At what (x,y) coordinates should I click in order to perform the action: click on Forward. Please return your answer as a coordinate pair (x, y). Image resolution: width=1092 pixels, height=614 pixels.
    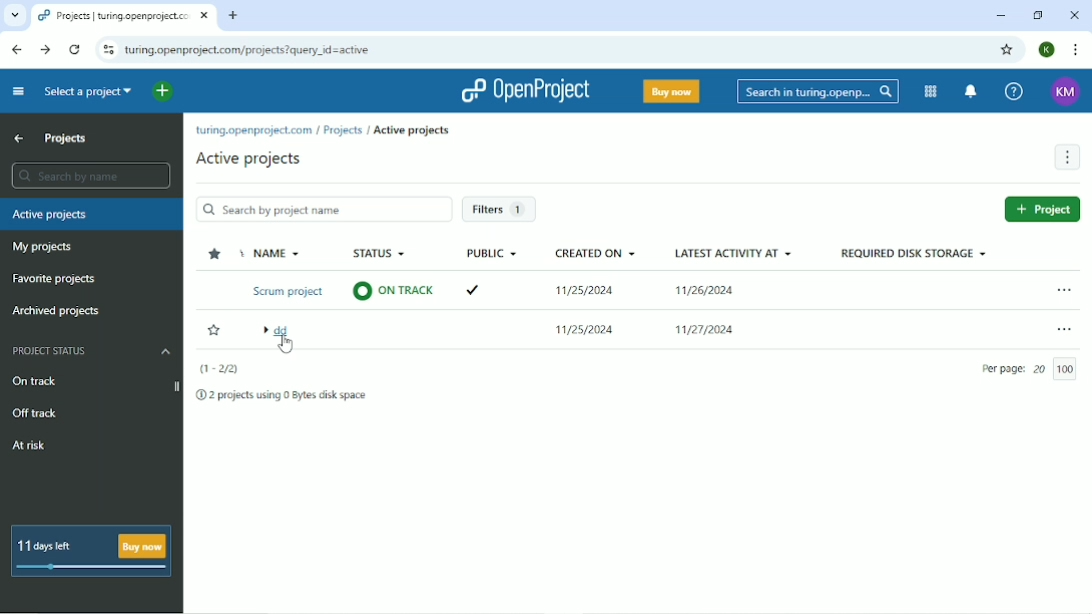
    Looking at the image, I should click on (46, 50).